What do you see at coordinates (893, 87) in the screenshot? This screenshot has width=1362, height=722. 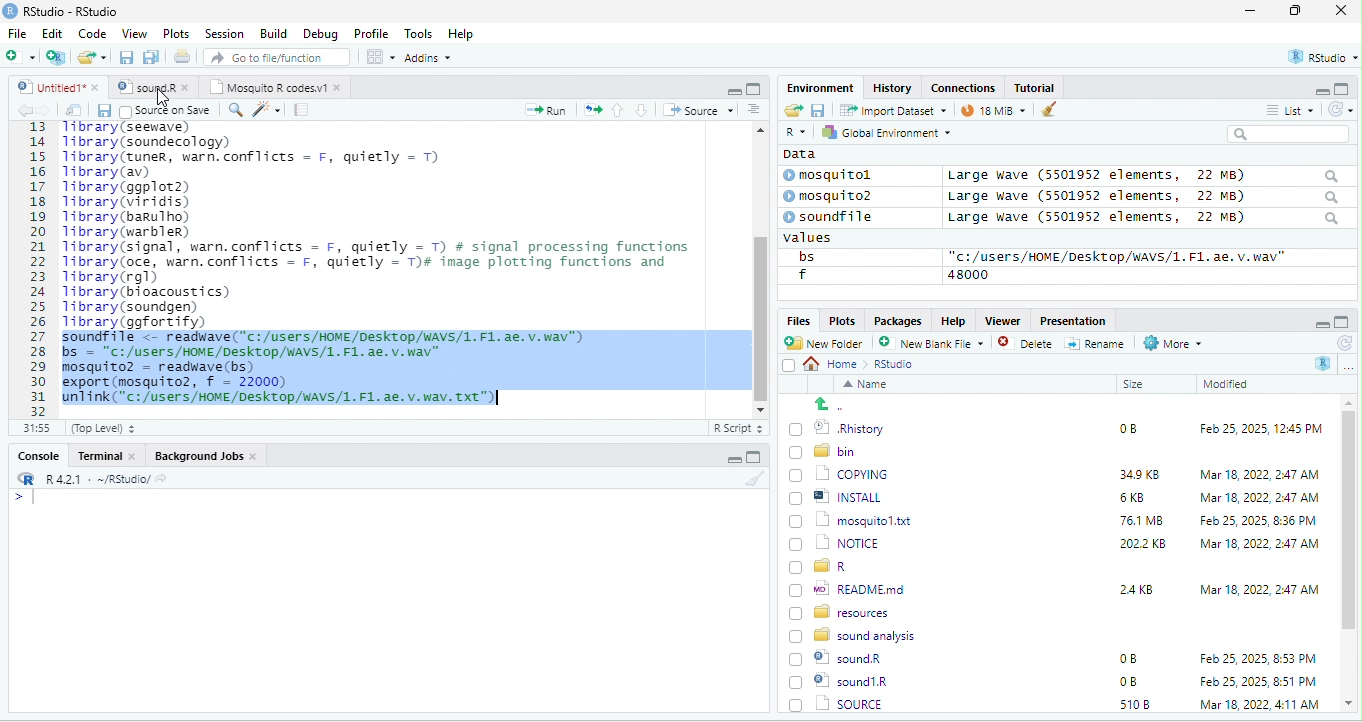 I see `History` at bounding box center [893, 87].